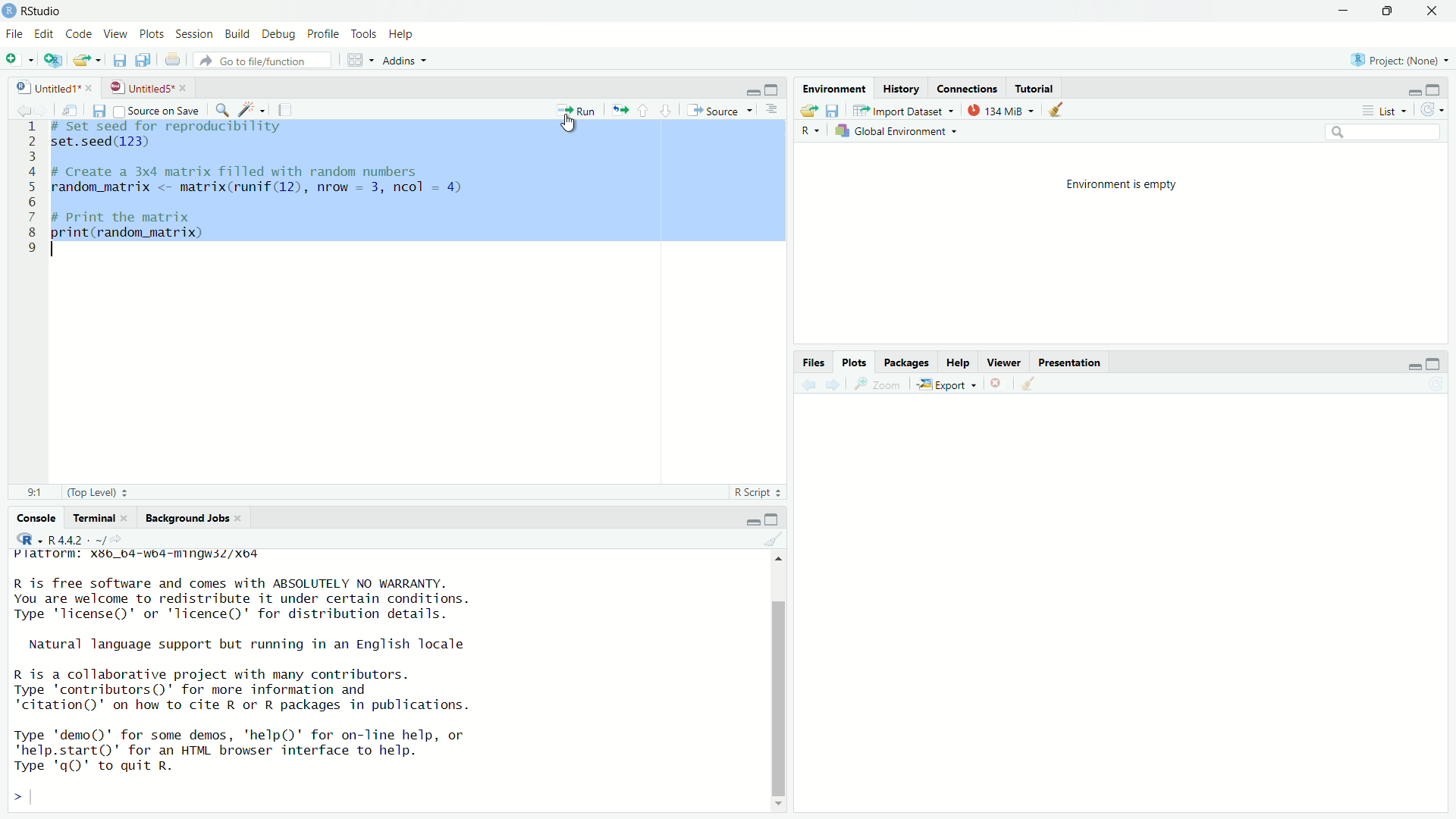  Describe the element at coordinates (1057, 111) in the screenshot. I see `clear` at that location.